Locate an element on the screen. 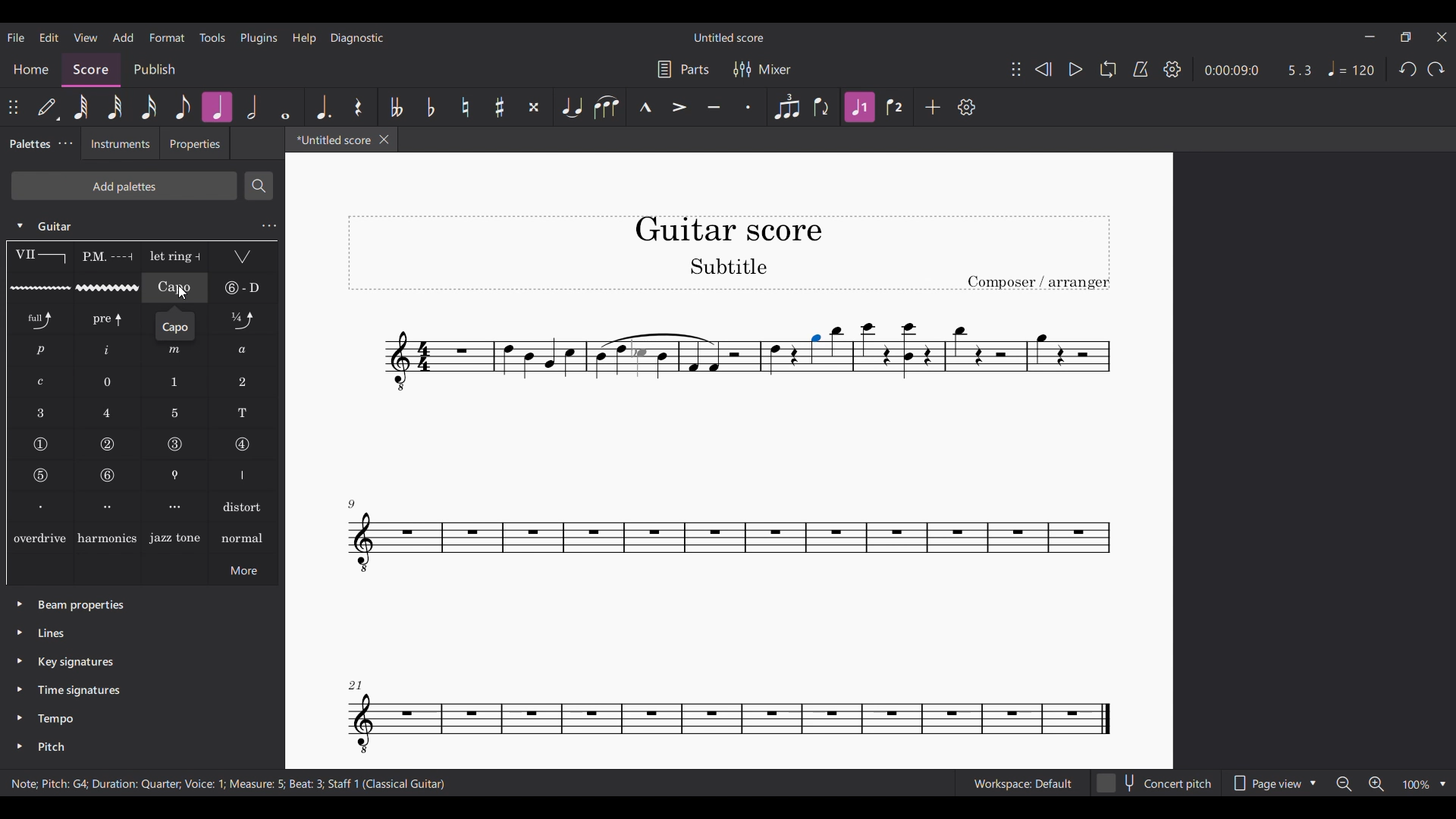  Guitar vibrato wide is located at coordinates (108, 287).